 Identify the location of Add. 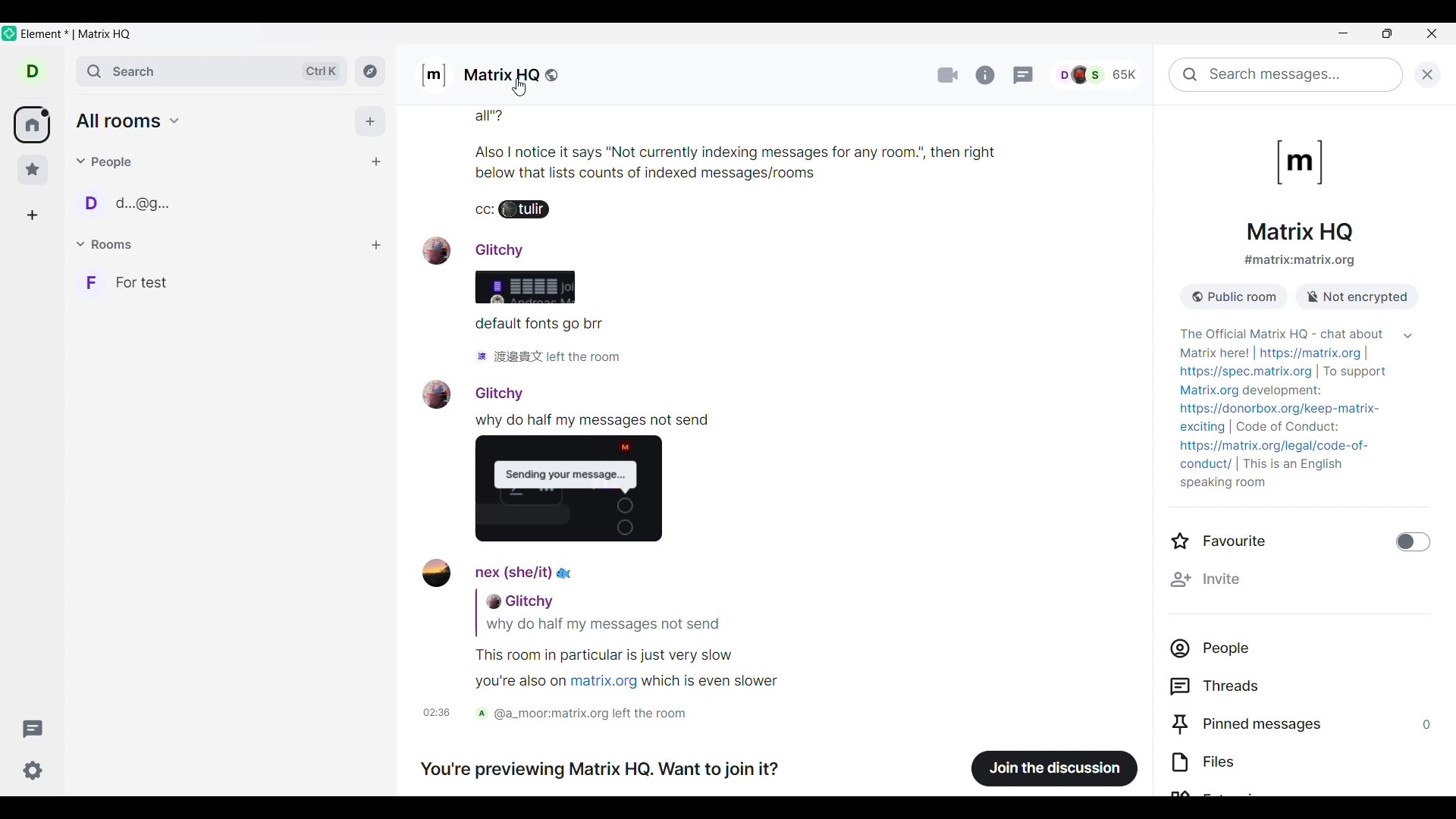
(371, 121).